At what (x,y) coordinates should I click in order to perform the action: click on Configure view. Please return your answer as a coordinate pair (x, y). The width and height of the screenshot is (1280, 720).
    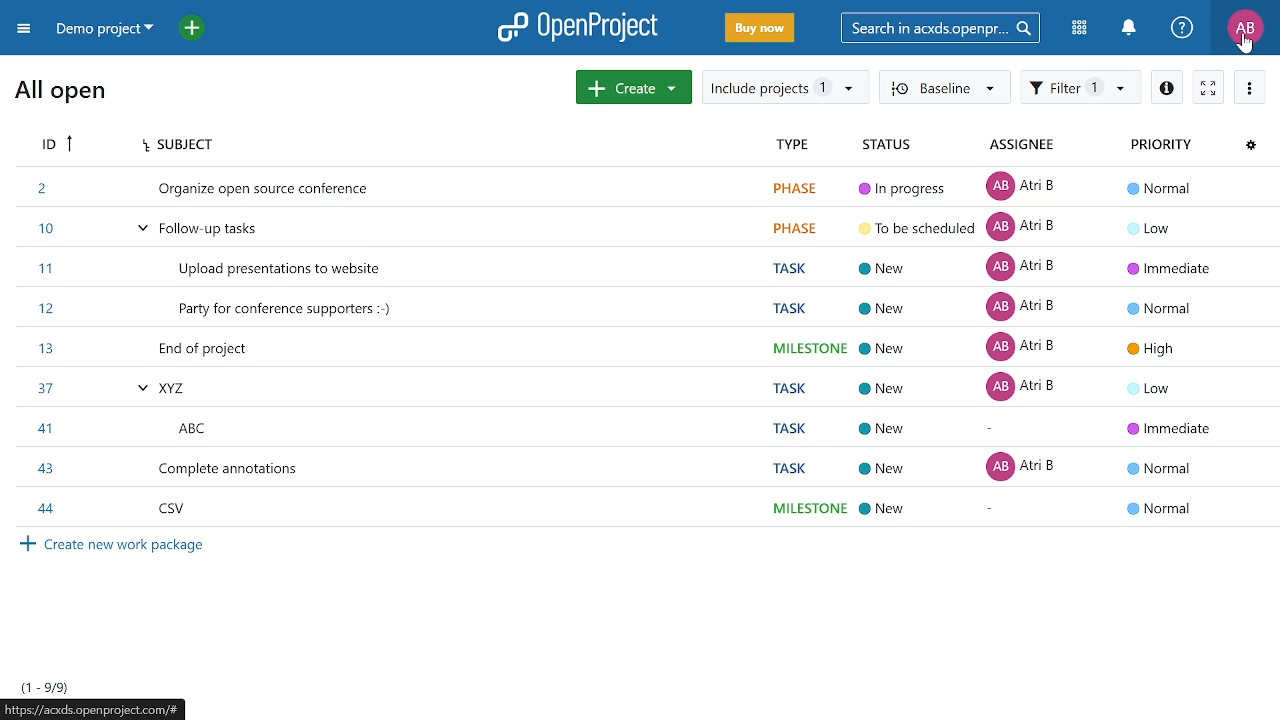
    Looking at the image, I should click on (1252, 147).